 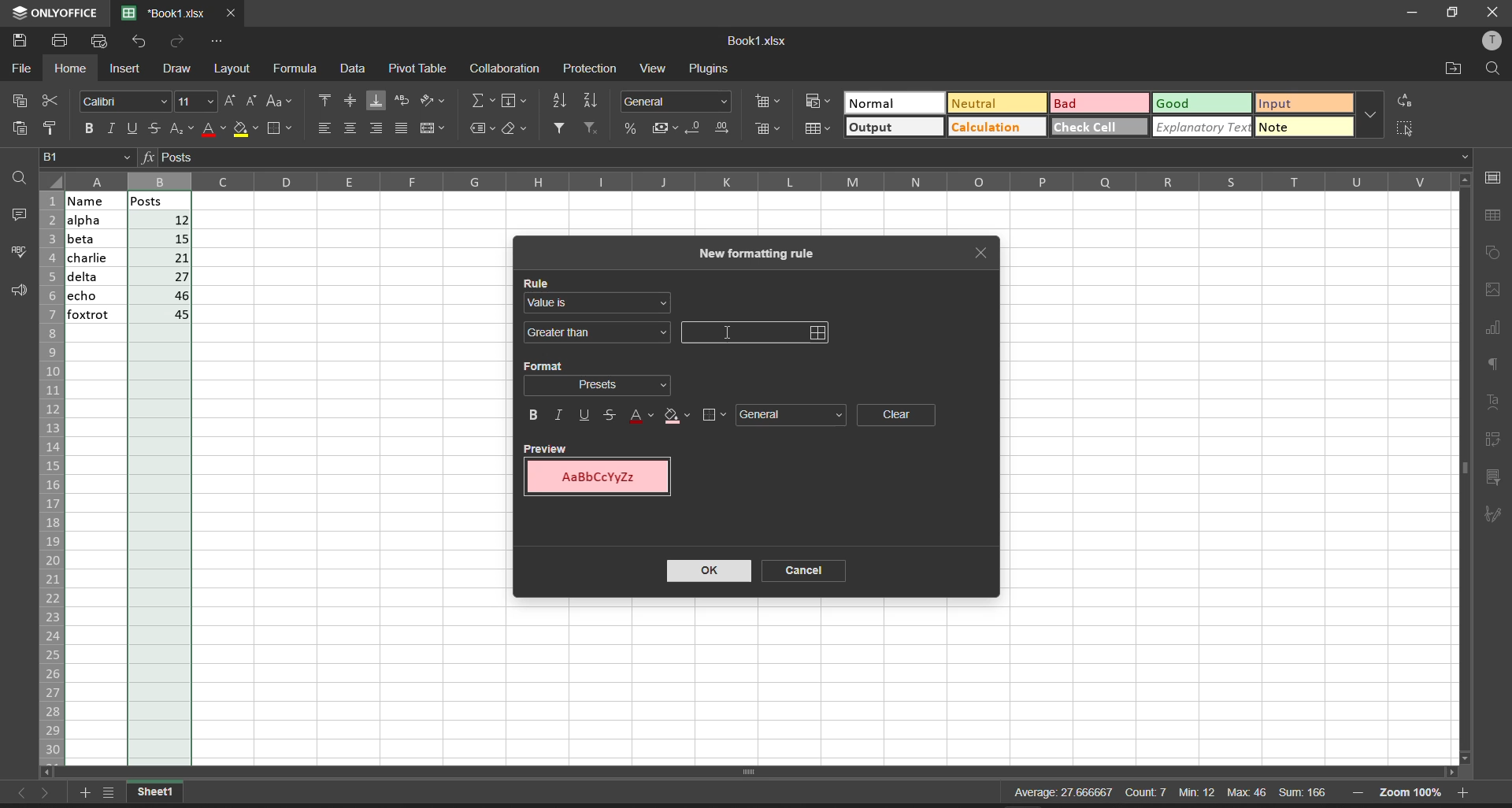 I want to click on font size, so click(x=195, y=101).